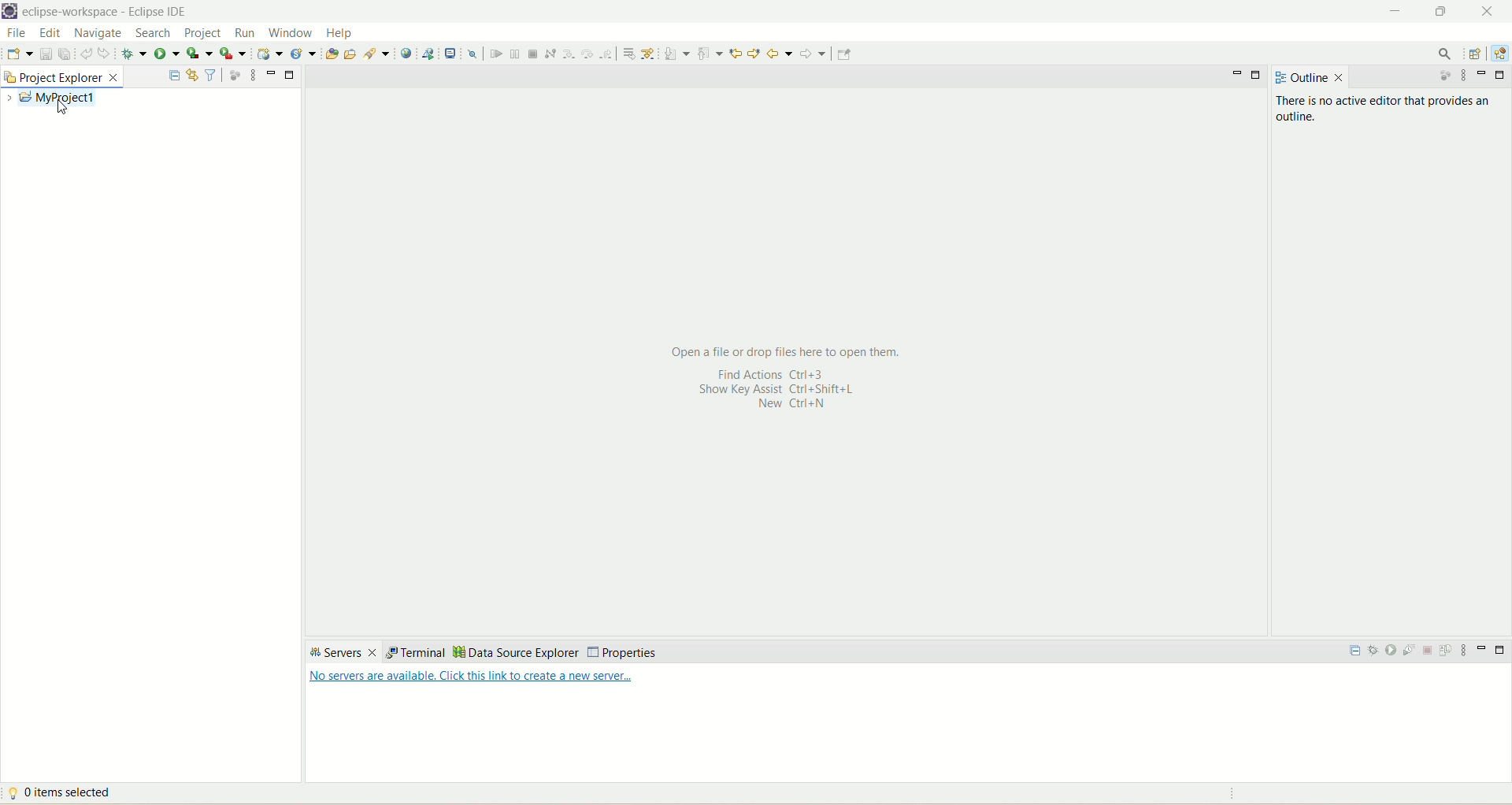 The height and width of the screenshot is (805, 1512). What do you see at coordinates (48, 33) in the screenshot?
I see `edit` at bounding box center [48, 33].